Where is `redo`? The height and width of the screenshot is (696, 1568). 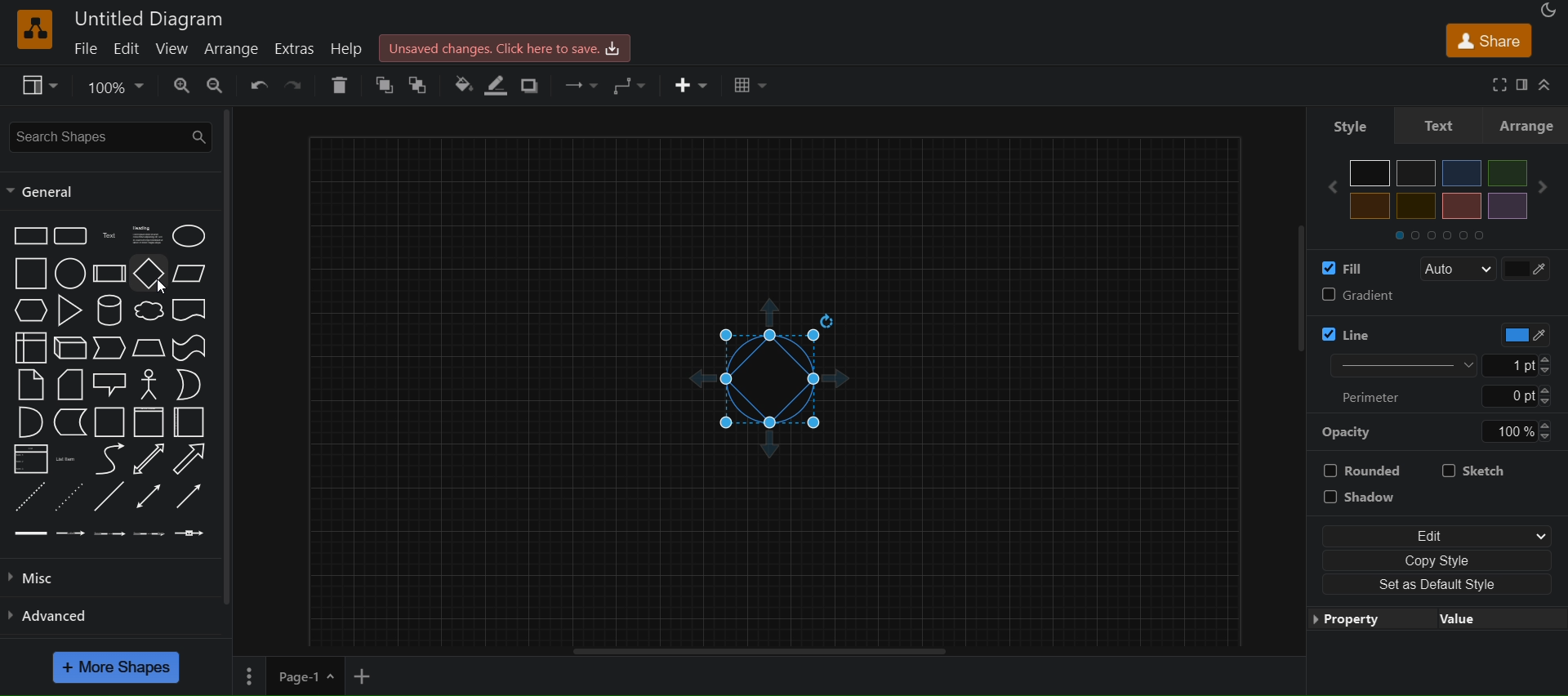 redo is located at coordinates (299, 84).